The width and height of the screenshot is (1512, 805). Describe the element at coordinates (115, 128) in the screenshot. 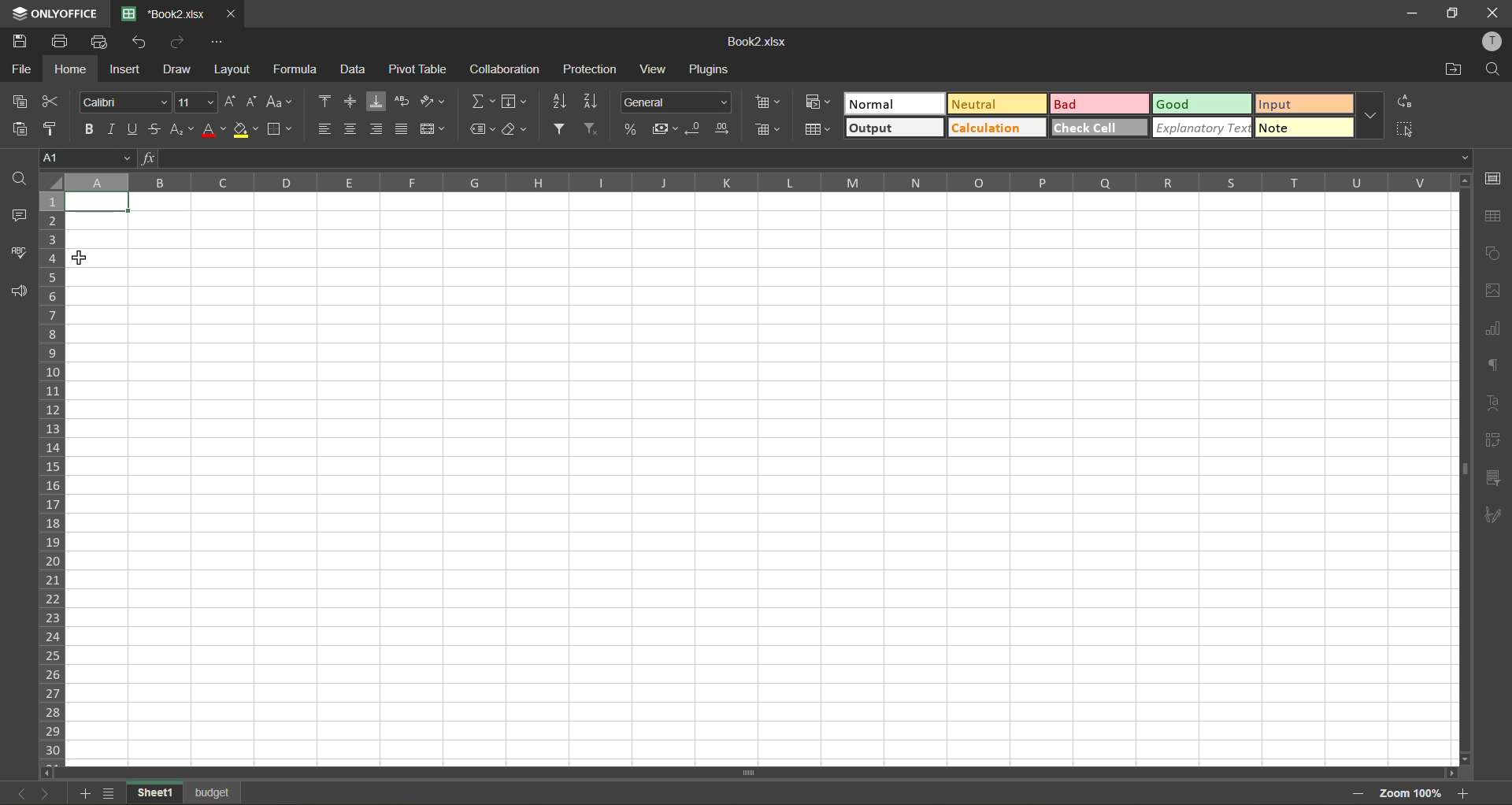

I see `italic` at that location.